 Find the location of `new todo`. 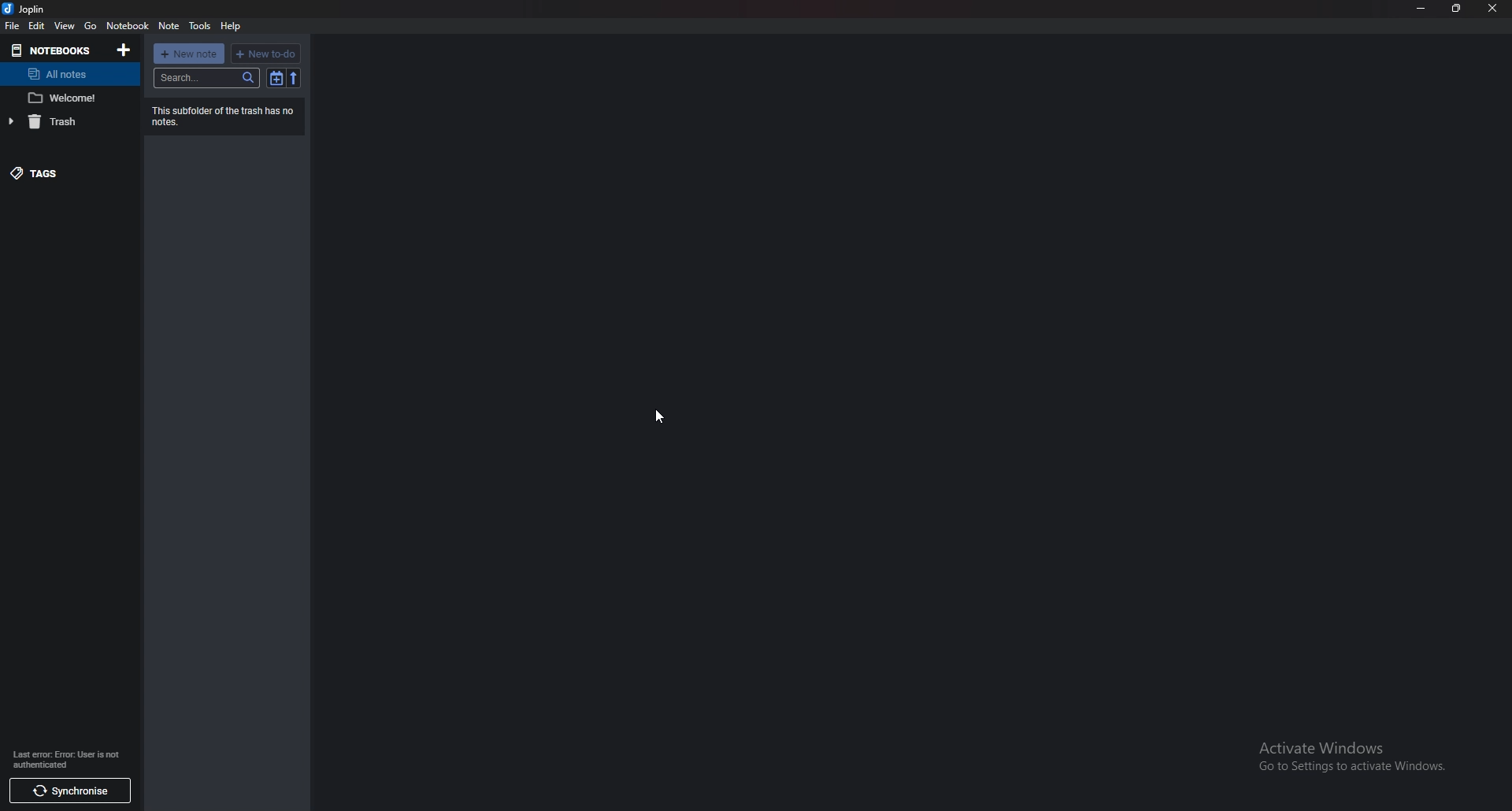

new todo is located at coordinates (265, 54).